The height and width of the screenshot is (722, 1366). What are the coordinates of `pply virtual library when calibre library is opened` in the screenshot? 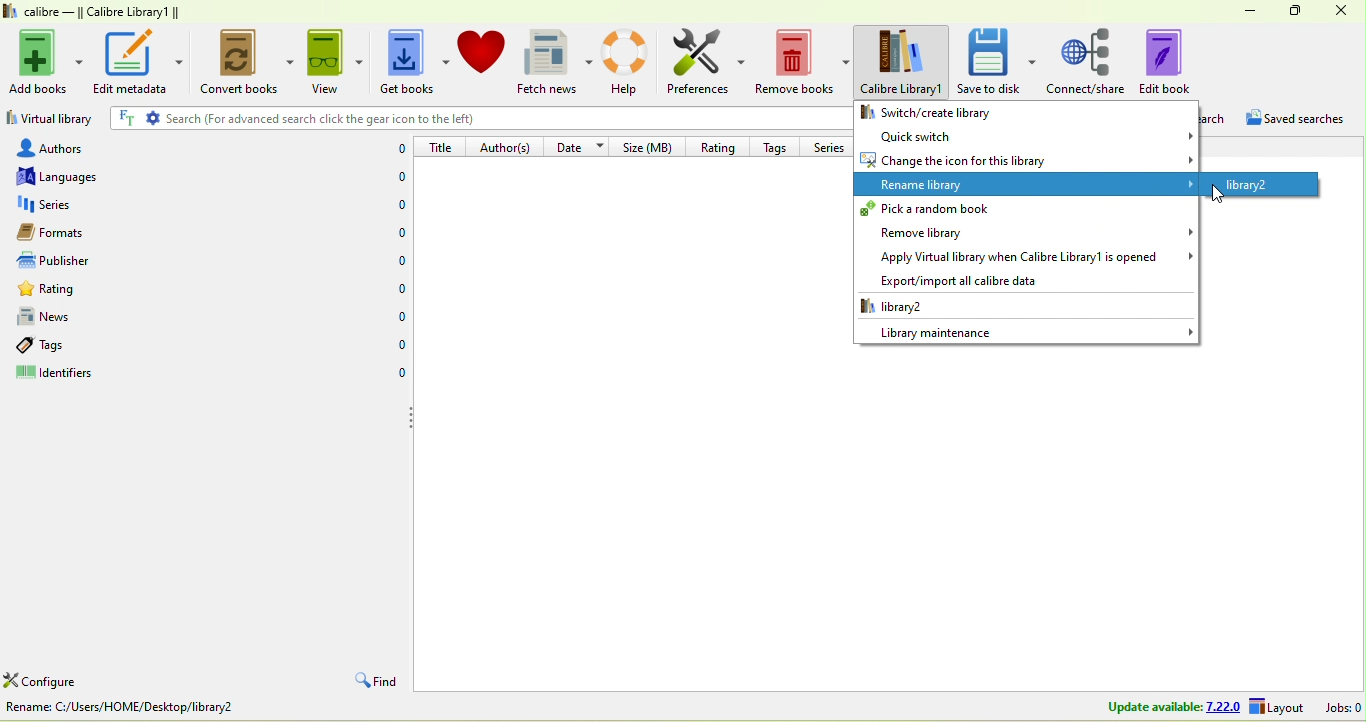 It's located at (1026, 258).